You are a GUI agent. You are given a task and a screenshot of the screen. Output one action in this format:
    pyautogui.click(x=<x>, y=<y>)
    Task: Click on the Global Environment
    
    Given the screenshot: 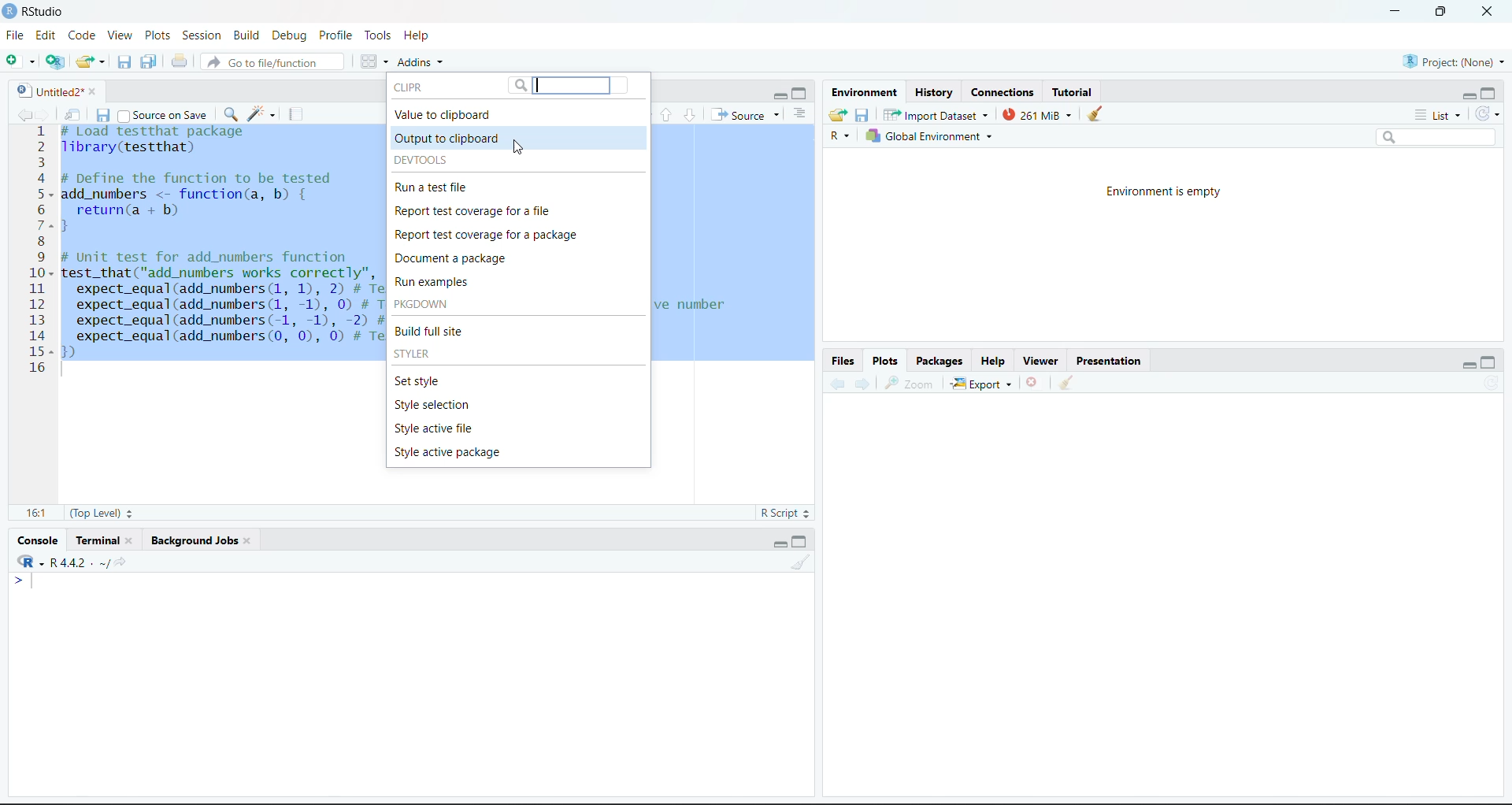 What is the action you would take?
    pyautogui.click(x=930, y=135)
    